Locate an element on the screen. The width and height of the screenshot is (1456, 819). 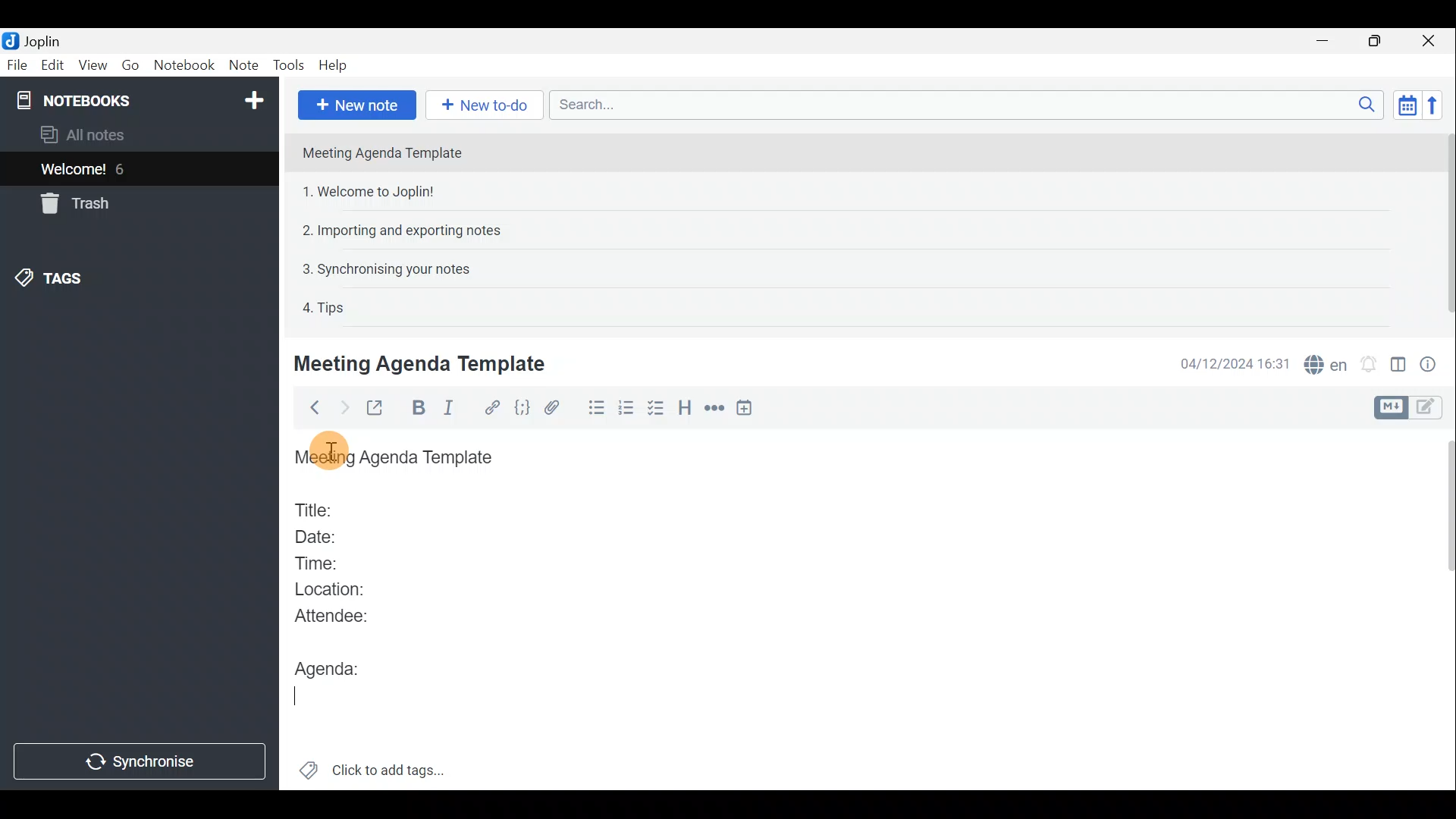
Forward is located at coordinates (342, 407).